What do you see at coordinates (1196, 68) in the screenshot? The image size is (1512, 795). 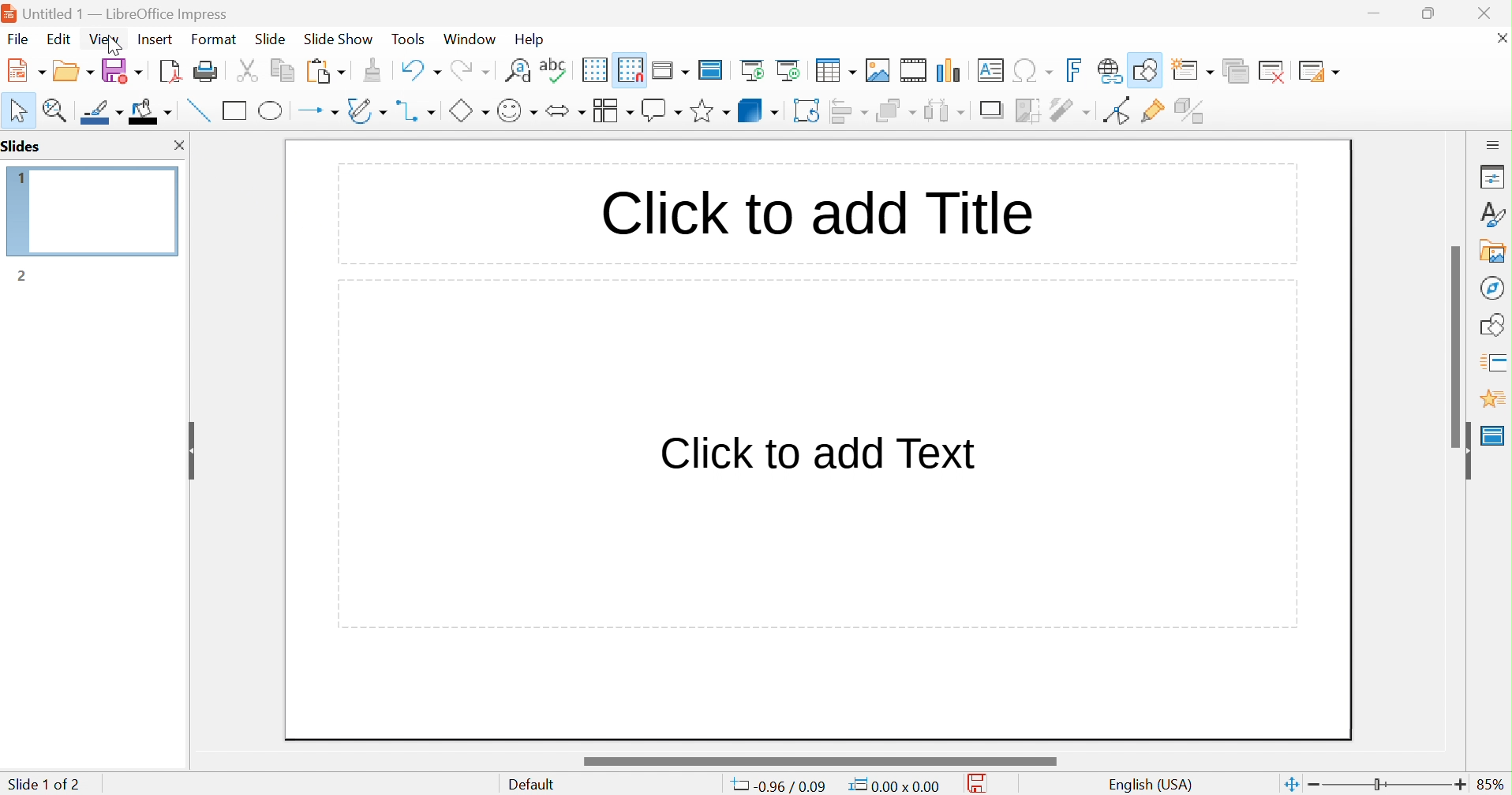 I see `new slide` at bounding box center [1196, 68].